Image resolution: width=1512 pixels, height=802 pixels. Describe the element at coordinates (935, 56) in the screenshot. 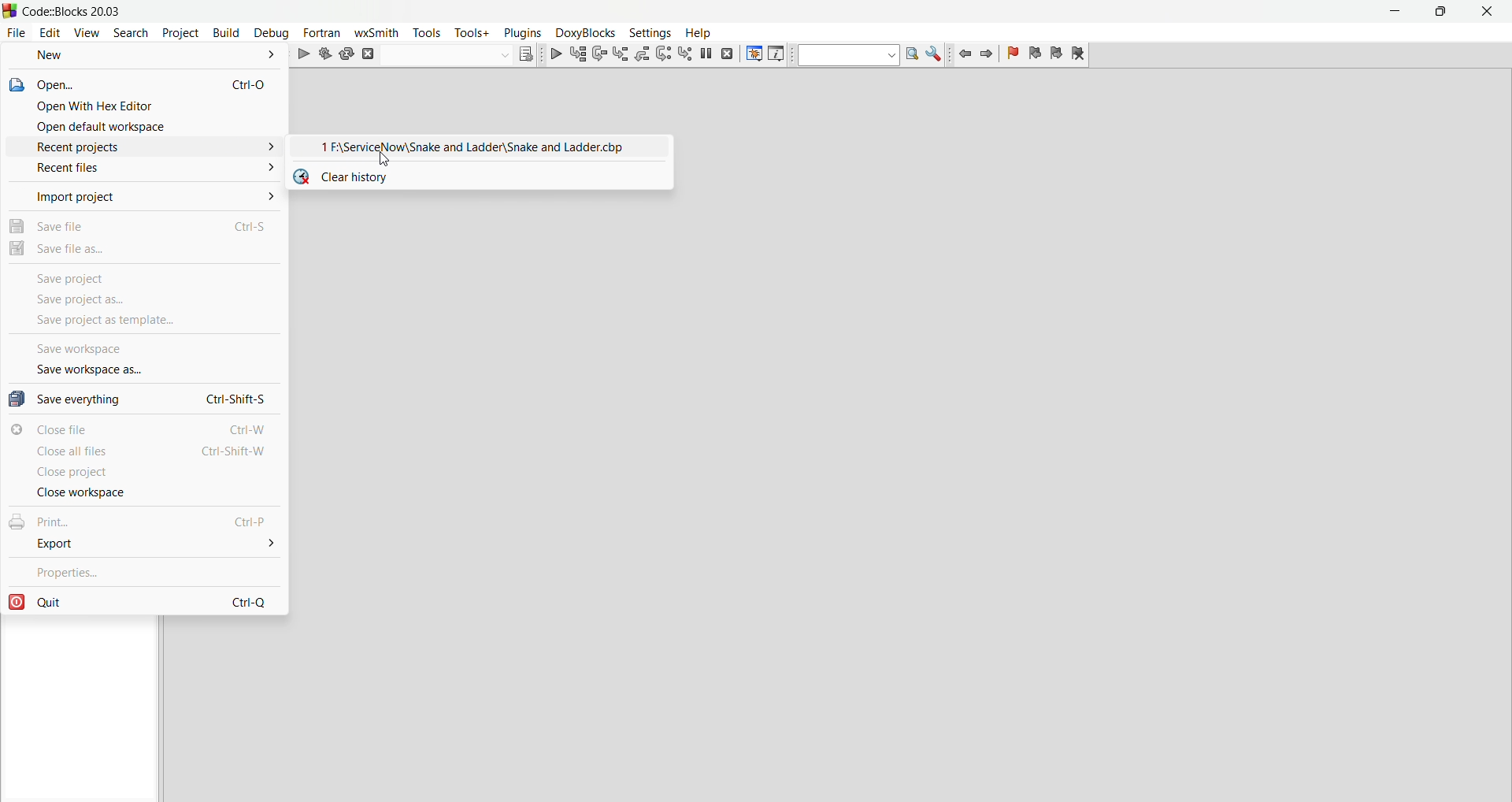

I see `show options window` at that location.